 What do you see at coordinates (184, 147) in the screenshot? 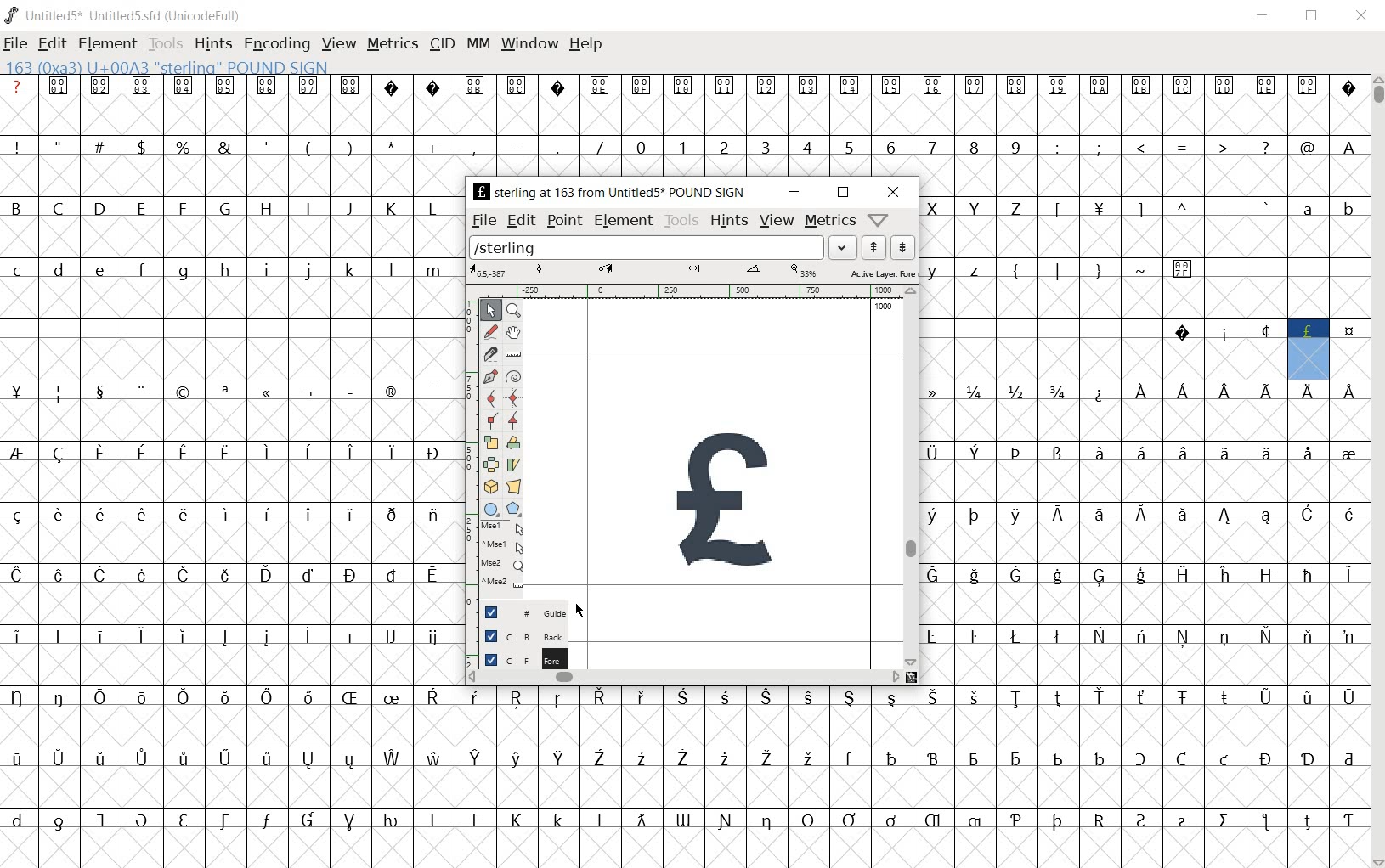
I see `%` at bounding box center [184, 147].